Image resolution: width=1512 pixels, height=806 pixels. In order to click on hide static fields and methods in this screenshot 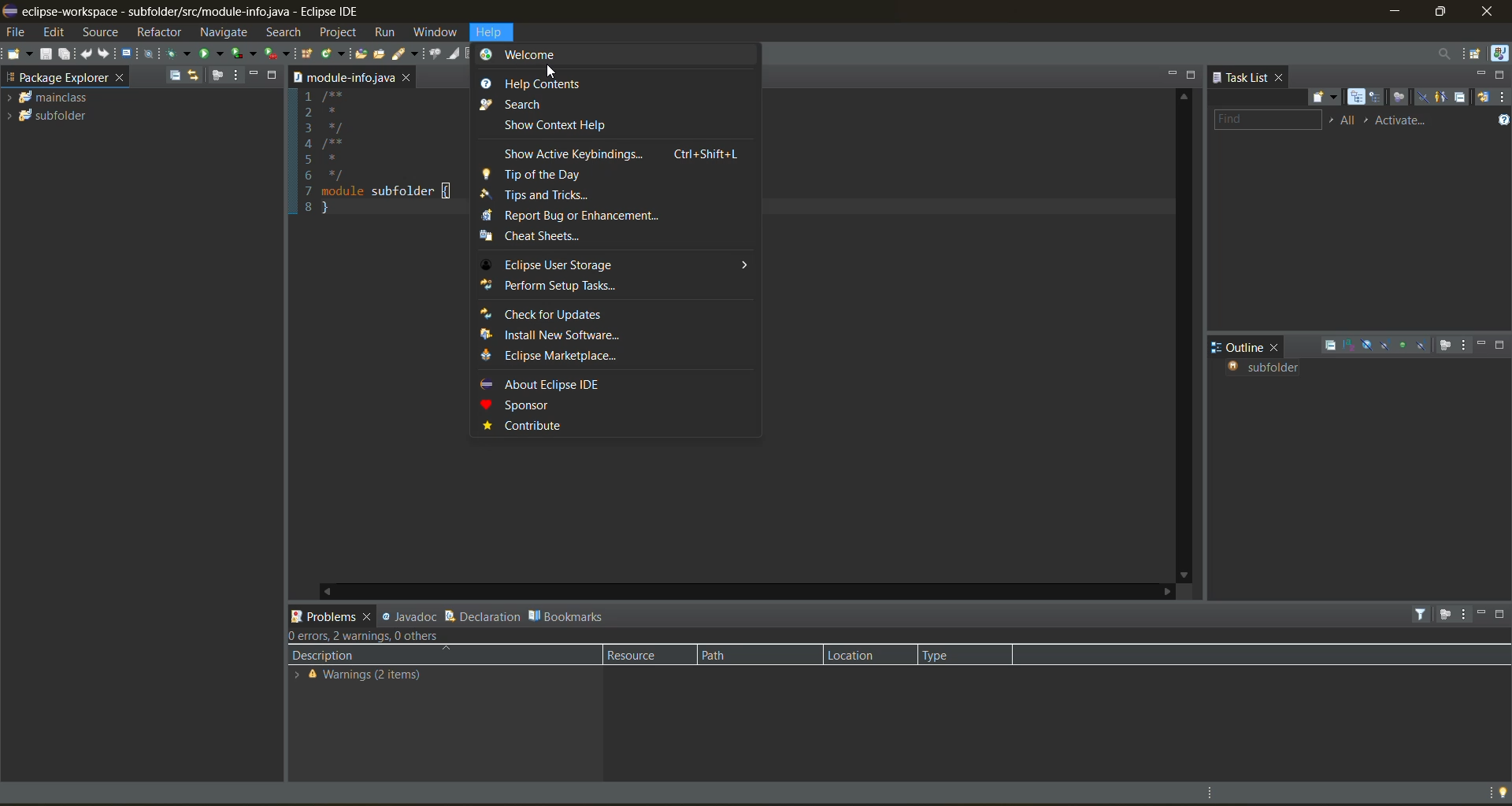, I will do `click(1384, 346)`.